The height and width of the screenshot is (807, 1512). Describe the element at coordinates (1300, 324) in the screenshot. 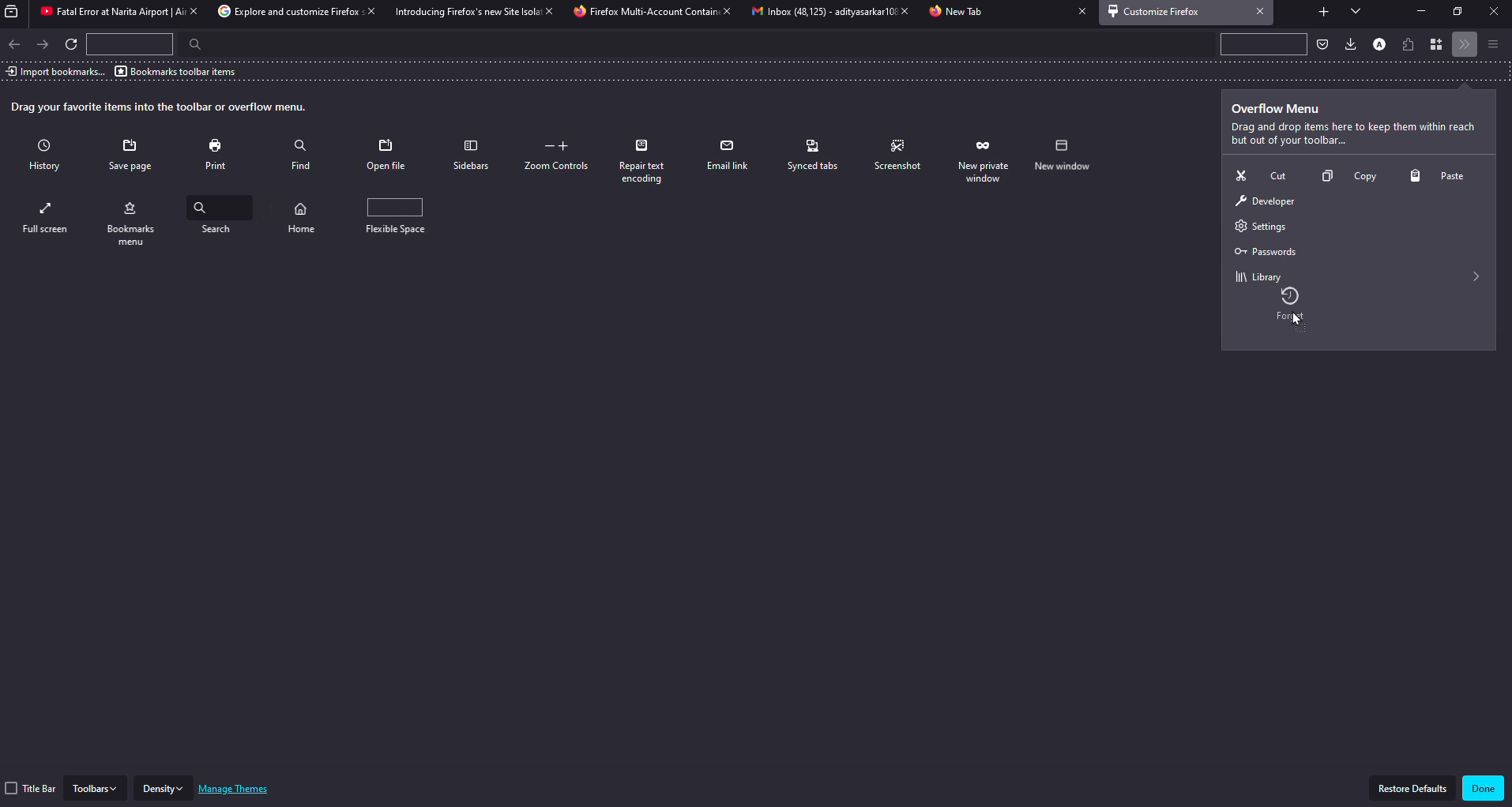

I see `cursor` at that location.